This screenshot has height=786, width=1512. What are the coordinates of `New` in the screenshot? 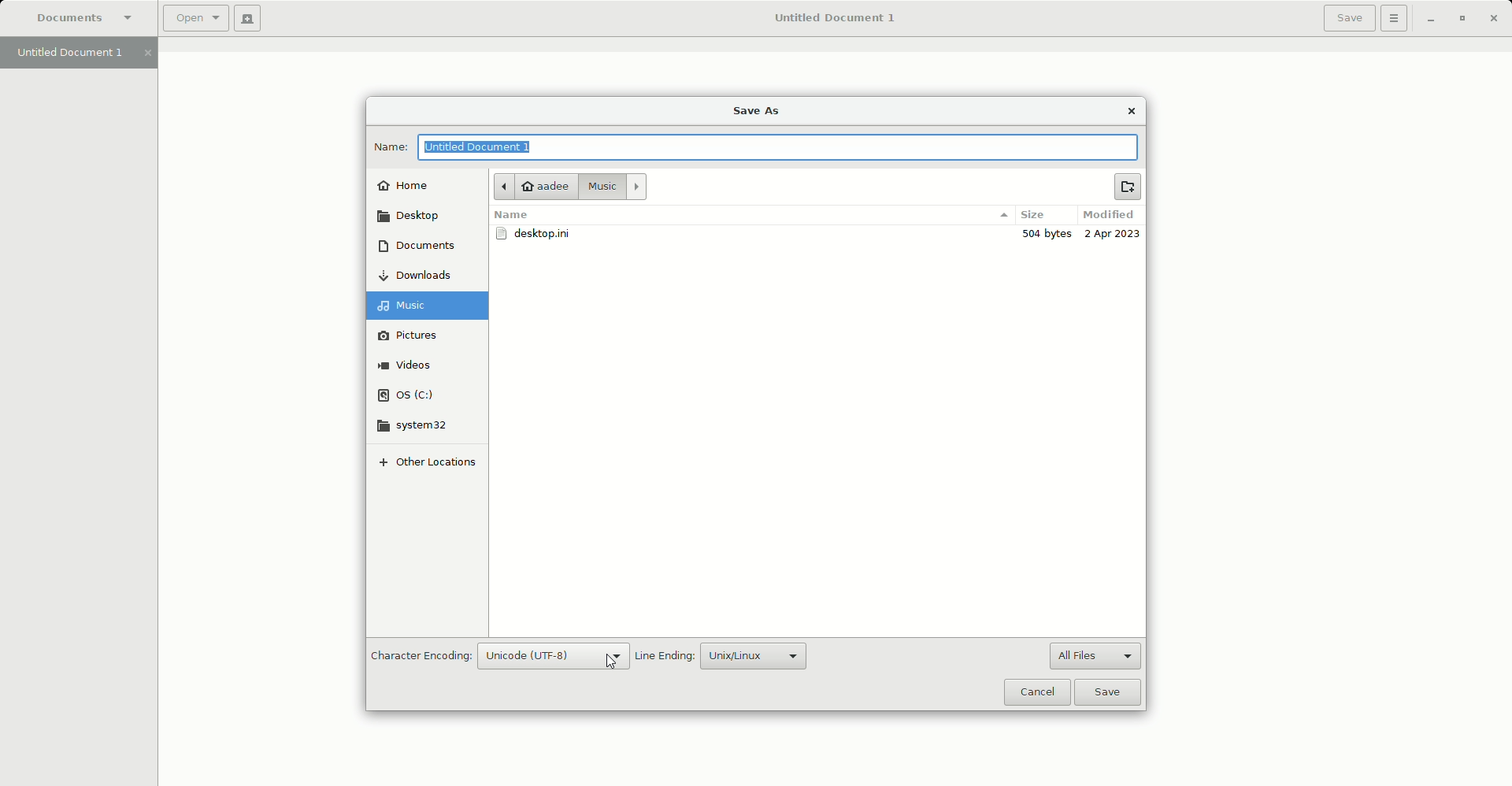 It's located at (245, 20).